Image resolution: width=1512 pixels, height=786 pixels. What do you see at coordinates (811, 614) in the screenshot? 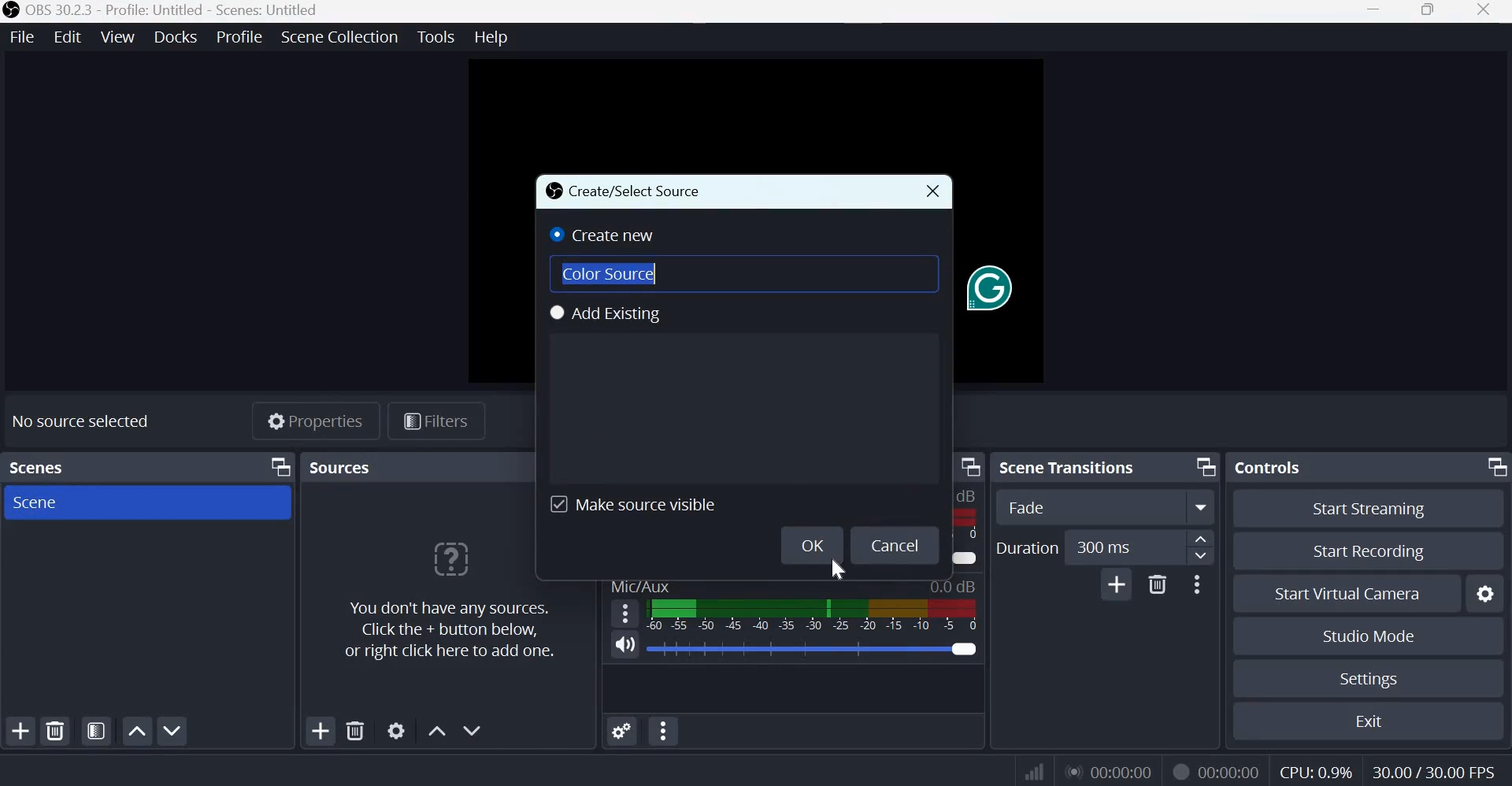
I see `Volume Meter` at bounding box center [811, 614].